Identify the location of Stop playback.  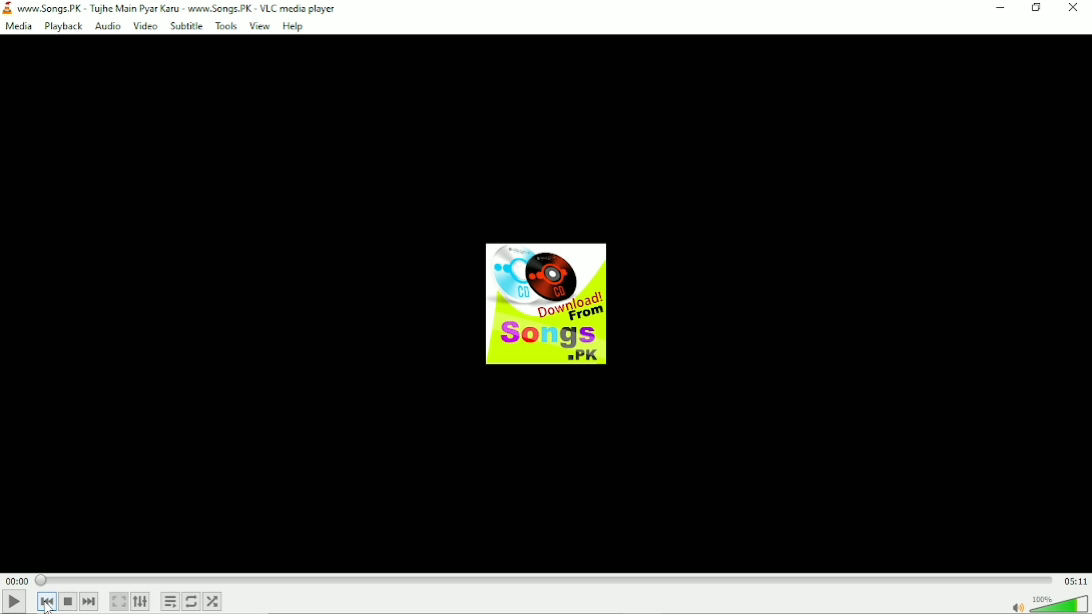
(68, 601).